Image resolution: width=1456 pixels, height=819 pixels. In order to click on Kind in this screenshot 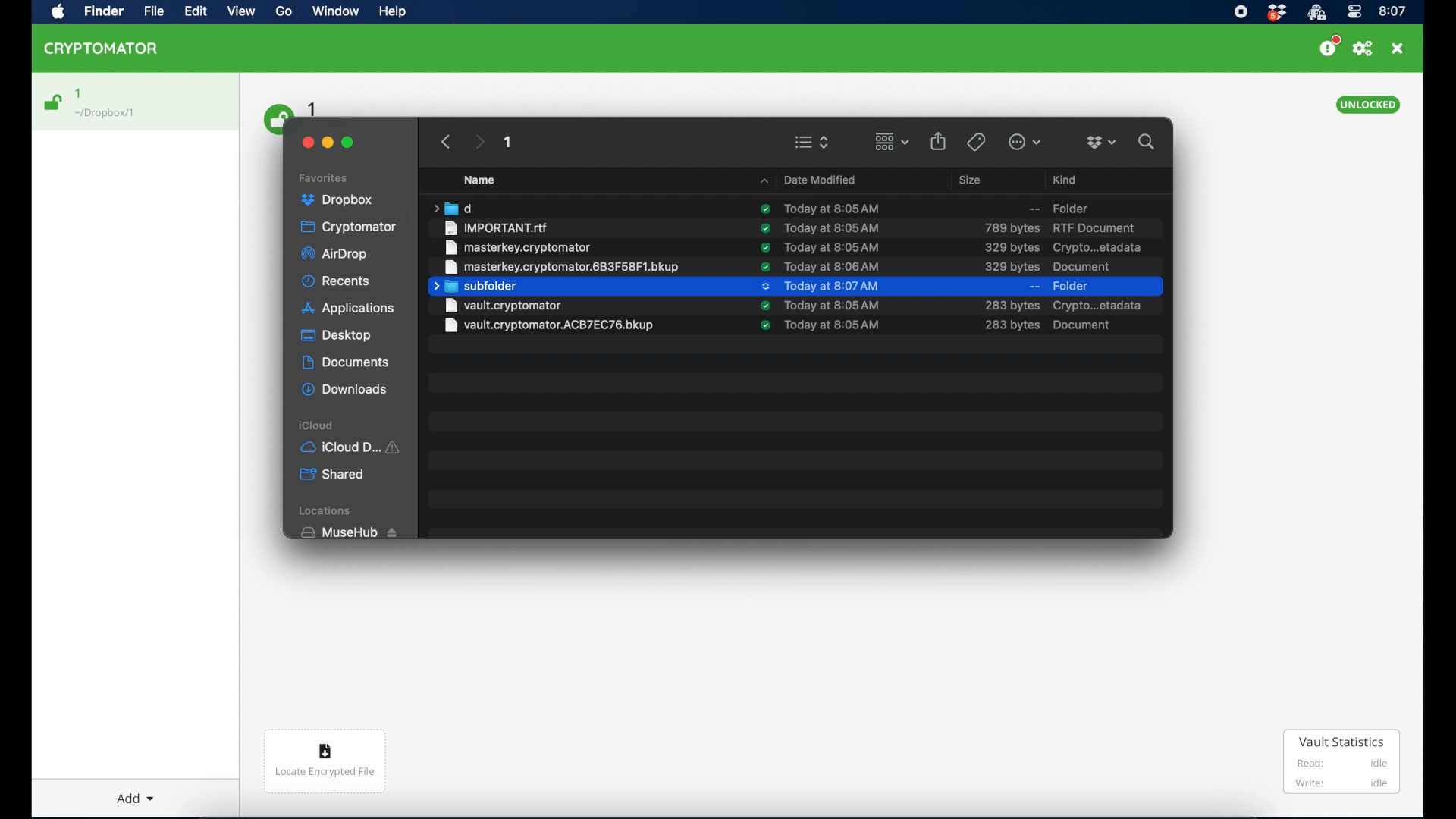, I will do `click(1067, 177)`.